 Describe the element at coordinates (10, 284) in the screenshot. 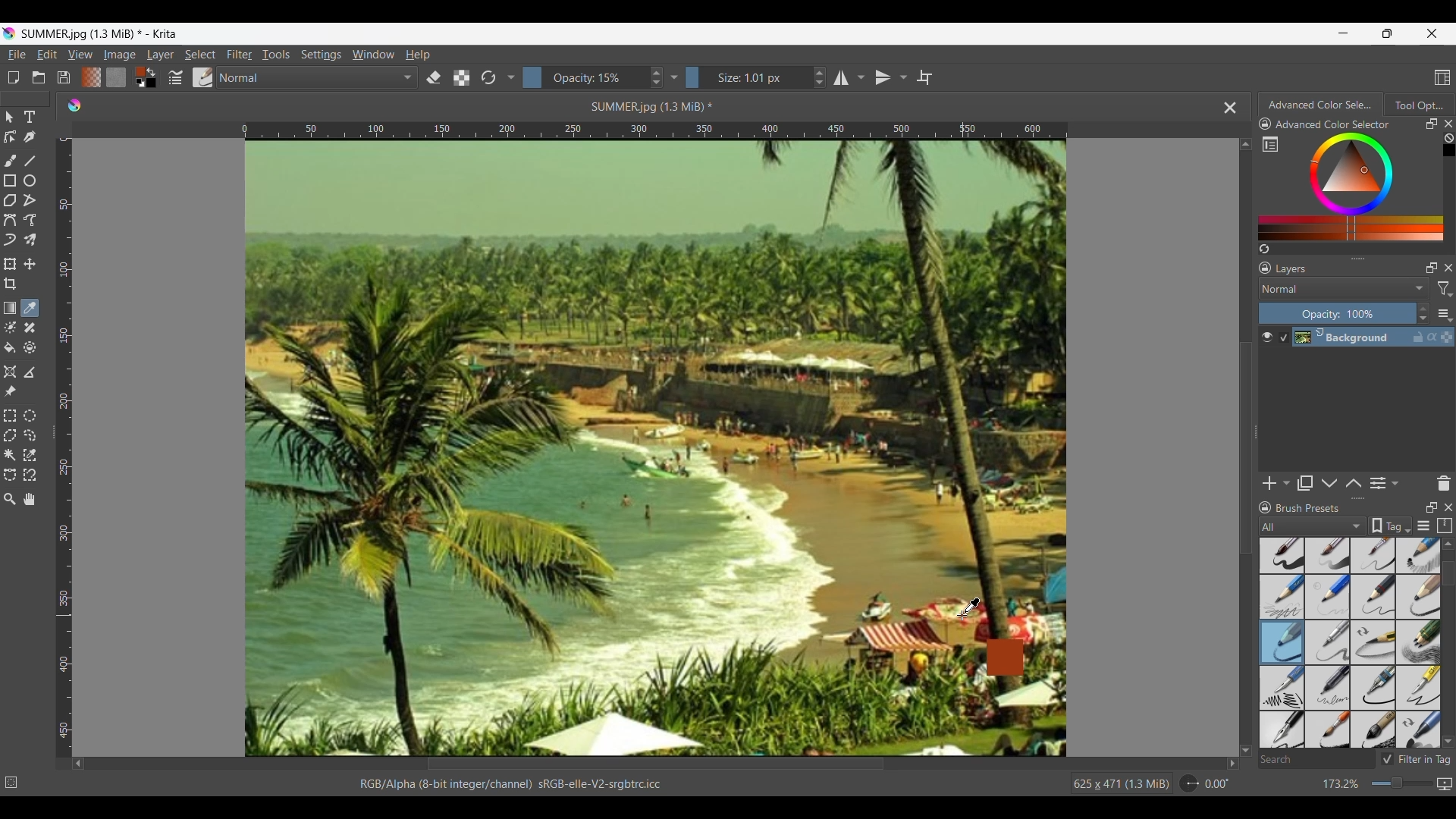

I see `Crop tool` at that location.